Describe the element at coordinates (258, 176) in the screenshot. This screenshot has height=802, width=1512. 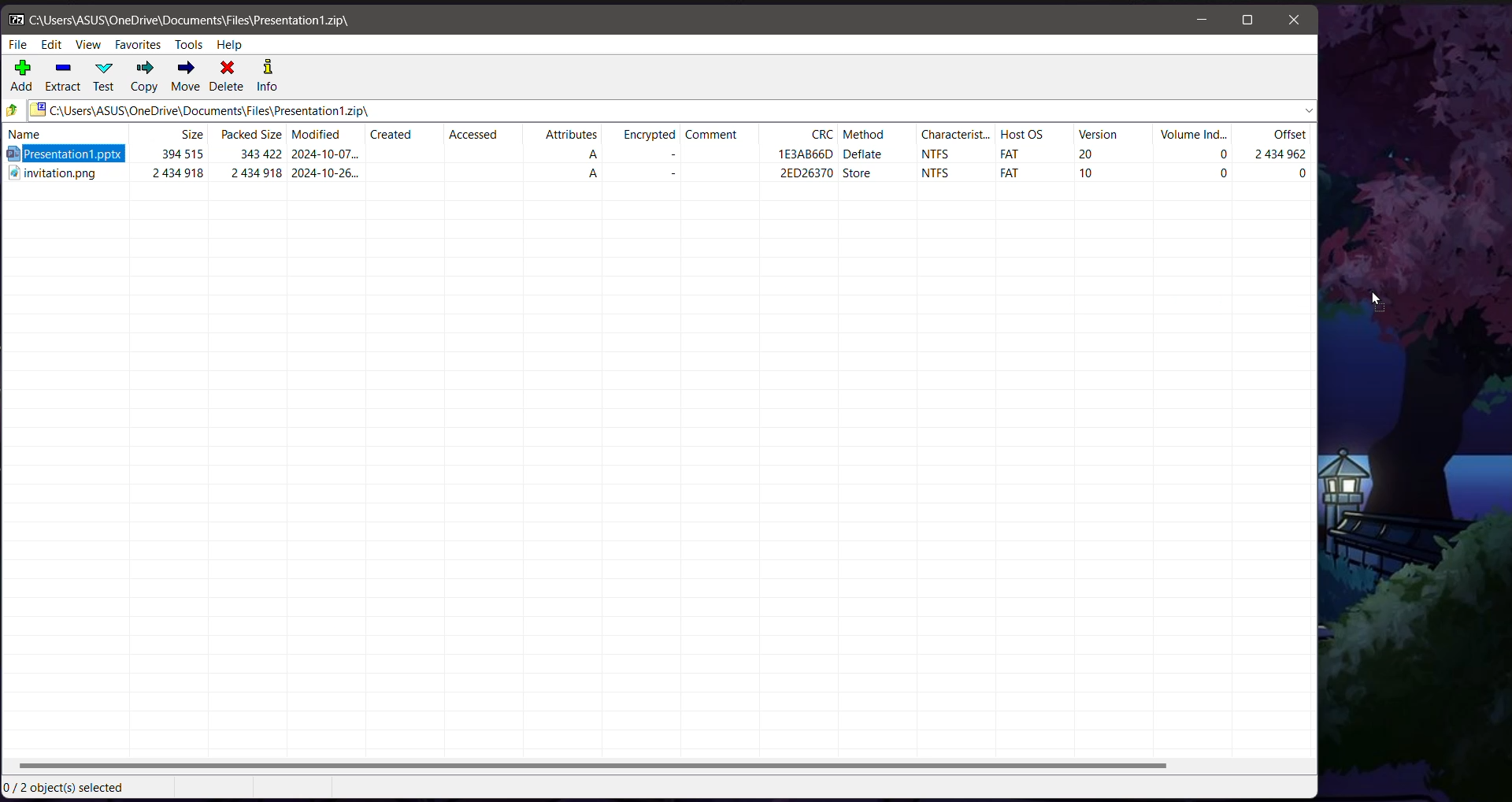
I see `2434918` at that location.